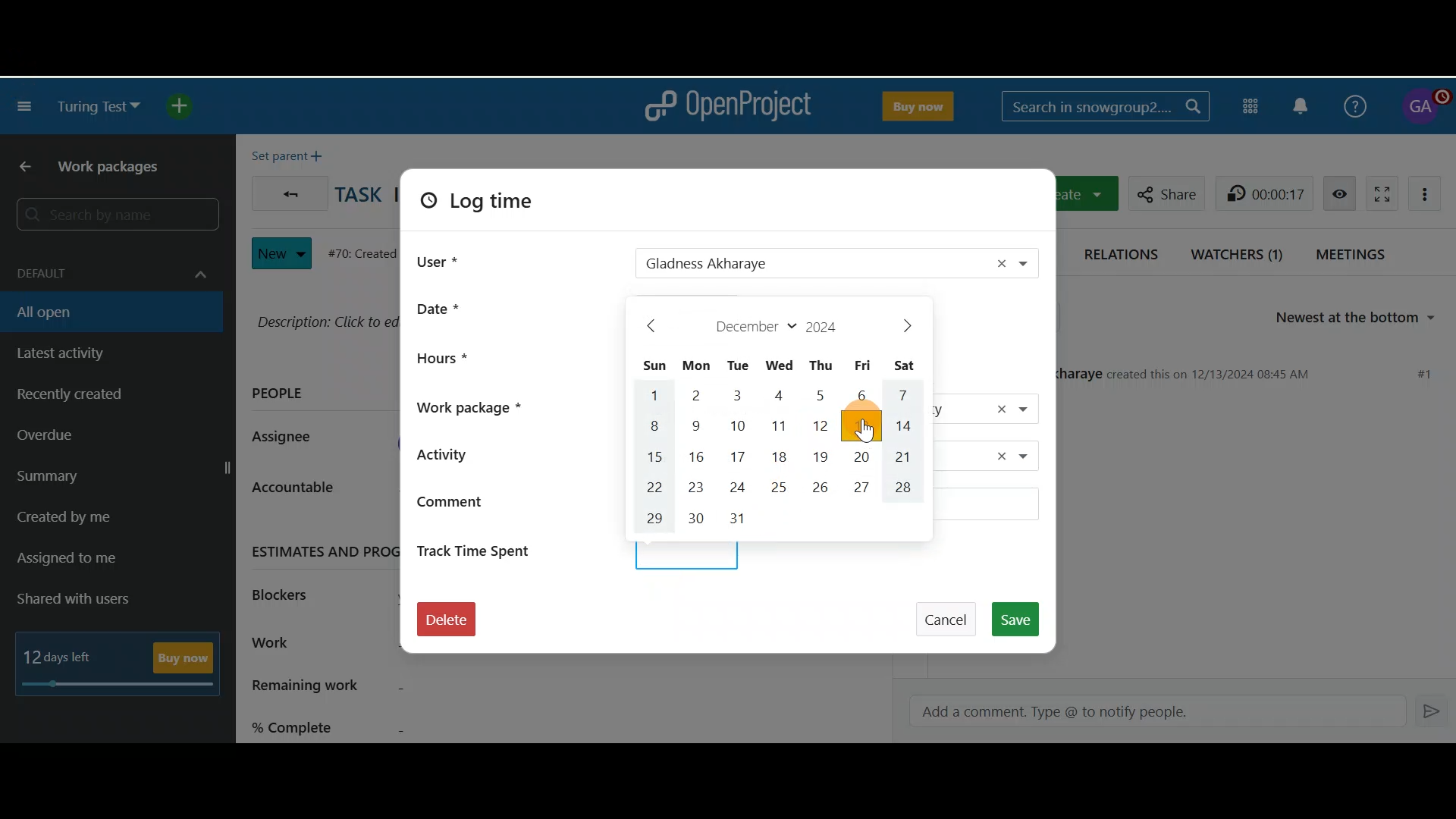 This screenshot has height=819, width=1456. I want to click on PEOPLE, so click(279, 396).